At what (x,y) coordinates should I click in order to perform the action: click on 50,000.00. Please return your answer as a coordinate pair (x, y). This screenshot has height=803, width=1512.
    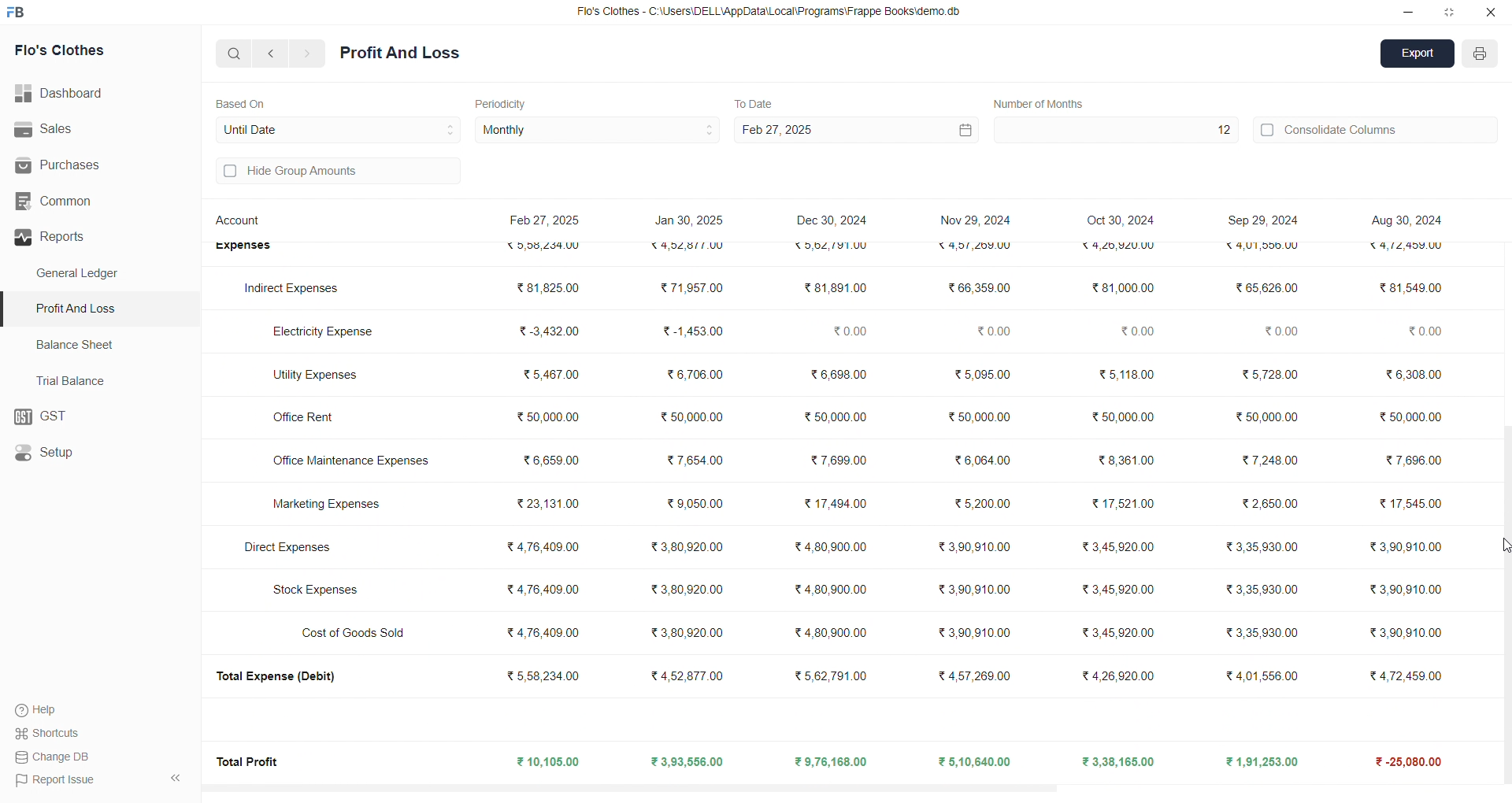
    Looking at the image, I should click on (1412, 417).